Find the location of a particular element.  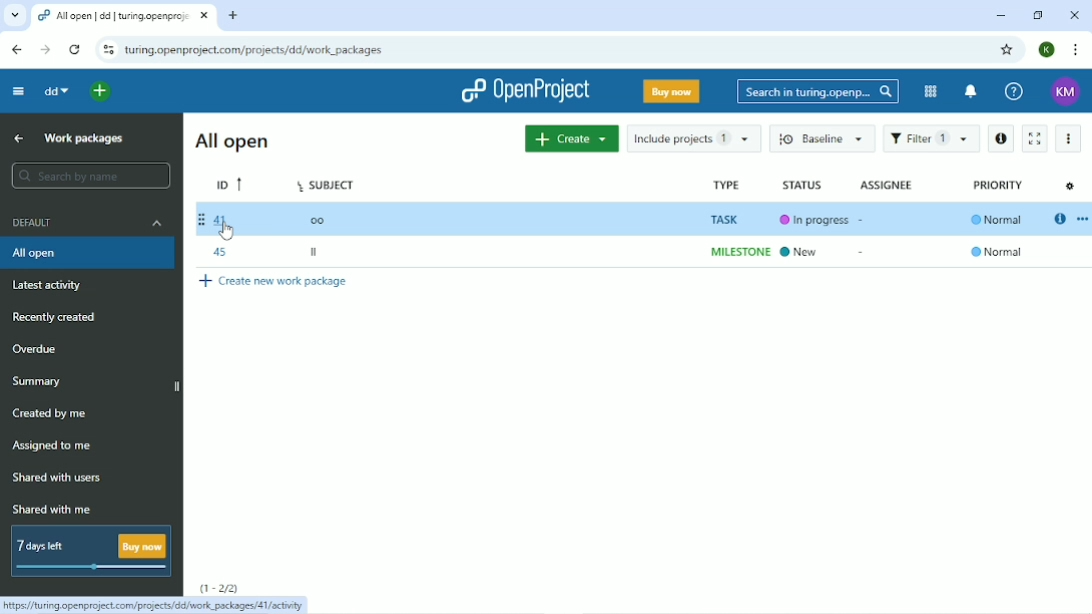

Assignee is located at coordinates (887, 185).